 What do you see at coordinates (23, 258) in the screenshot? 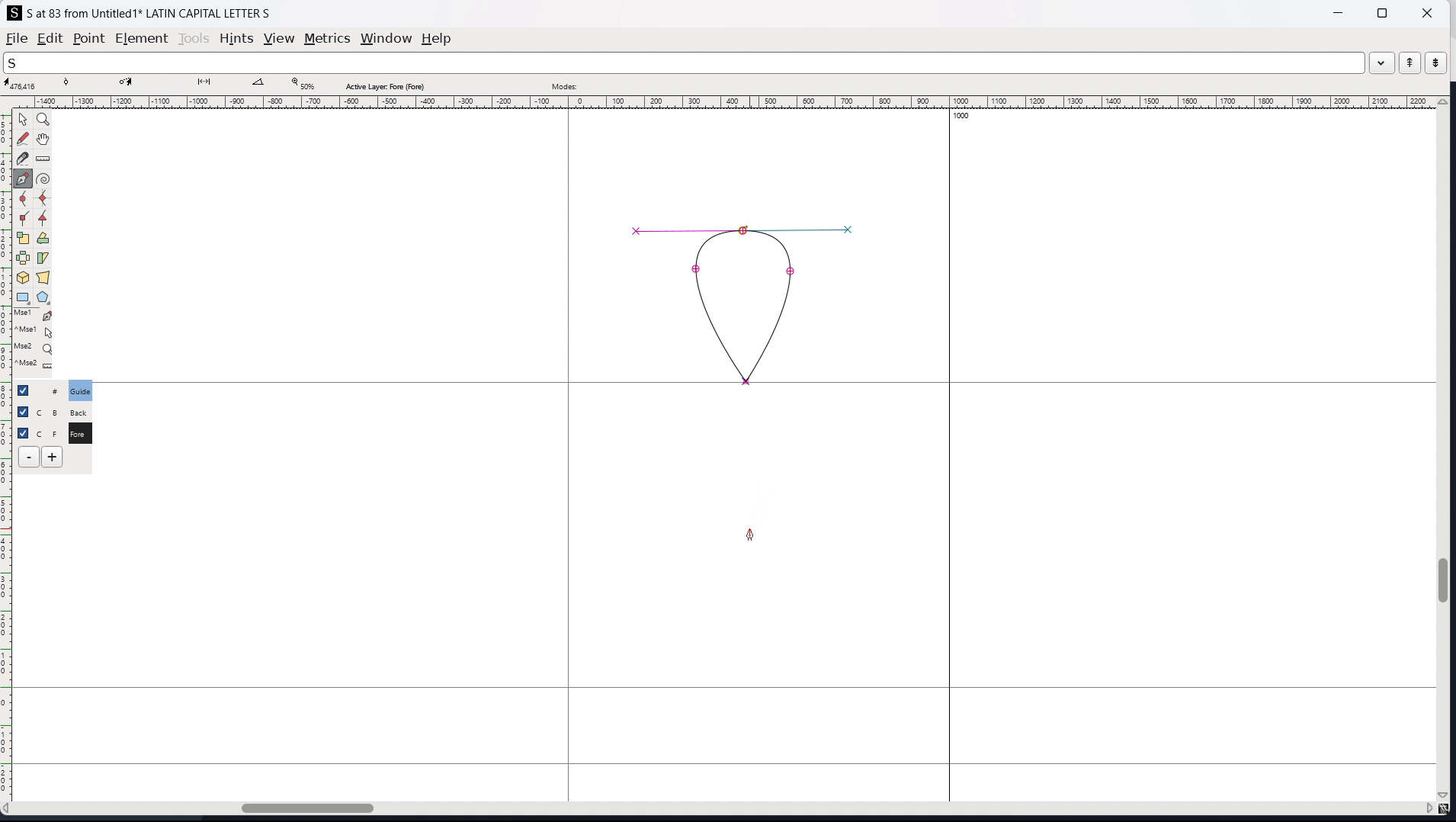
I see `flip the selection` at bounding box center [23, 258].